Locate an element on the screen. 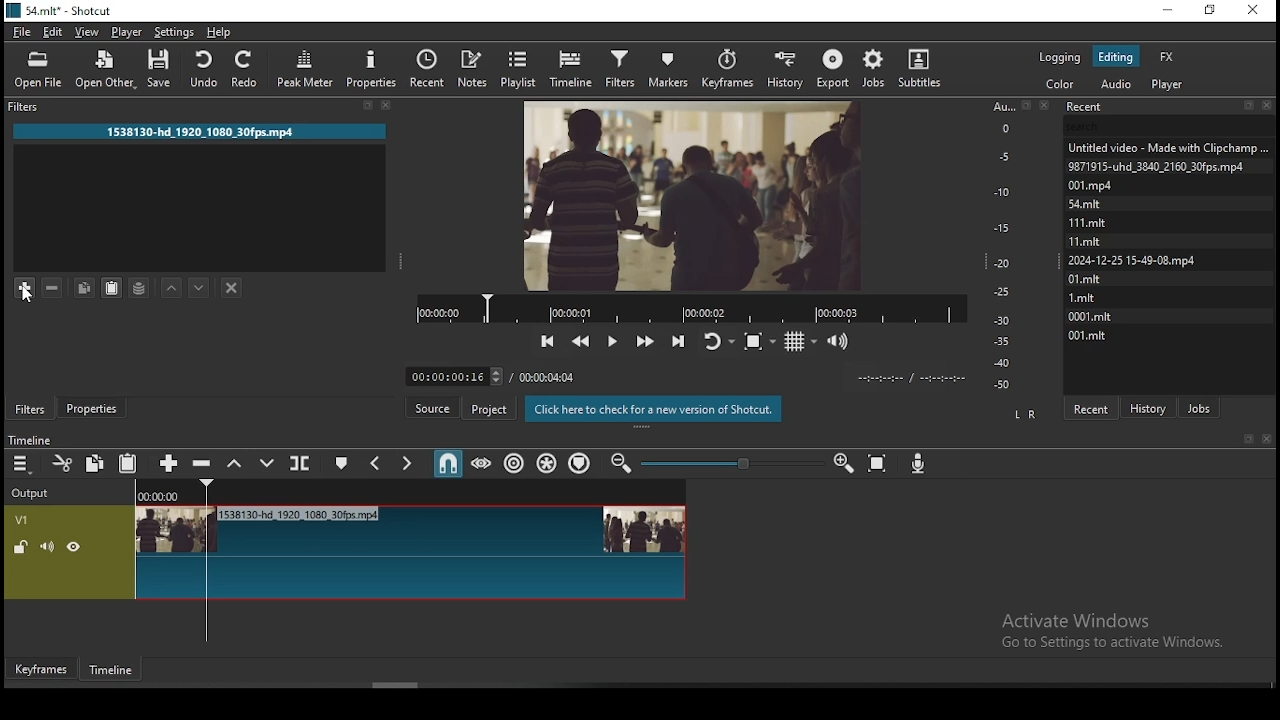  edit is located at coordinates (53, 31).